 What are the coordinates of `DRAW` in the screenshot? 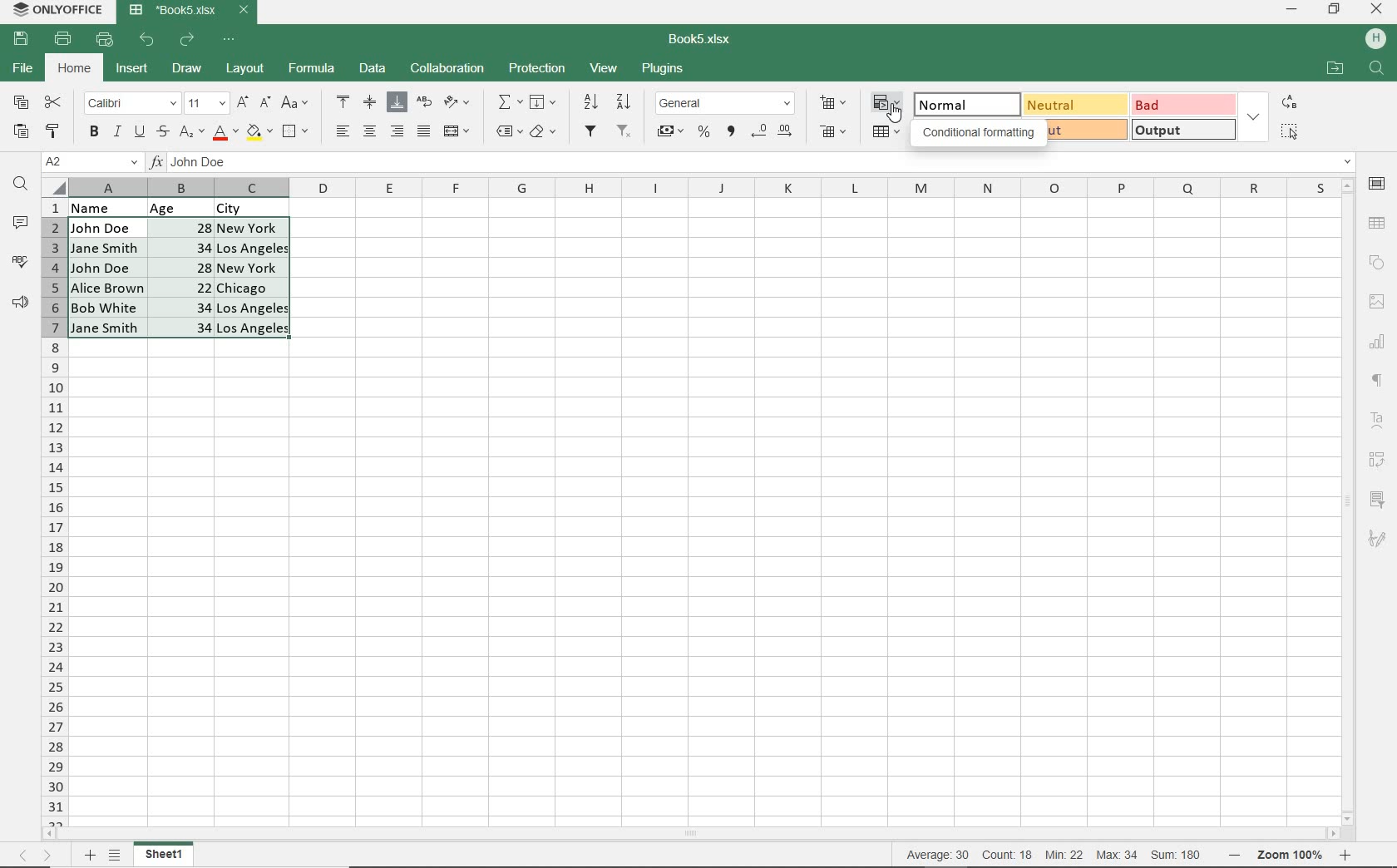 It's located at (188, 68).